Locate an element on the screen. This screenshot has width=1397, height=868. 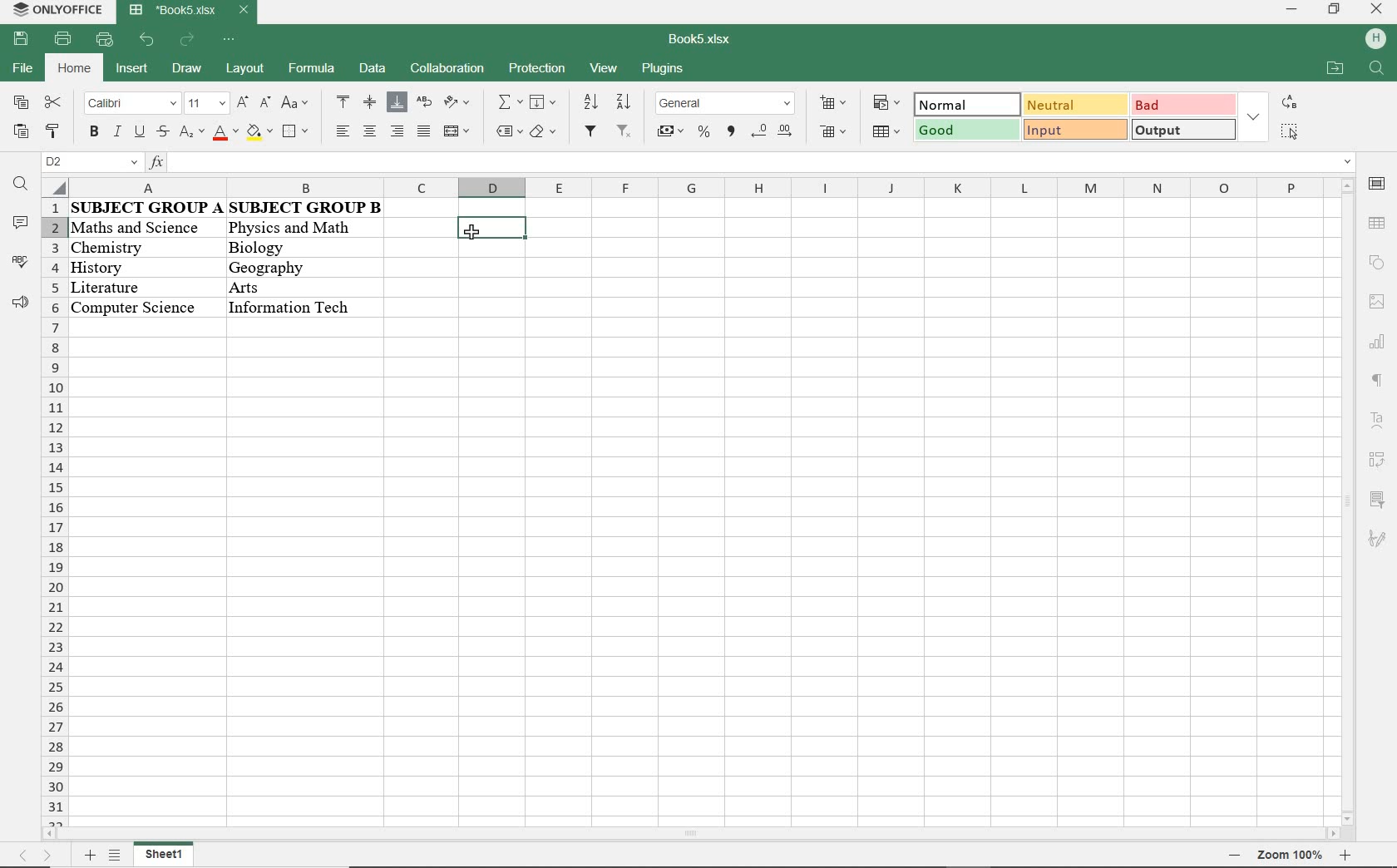
clear is located at coordinates (545, 133).